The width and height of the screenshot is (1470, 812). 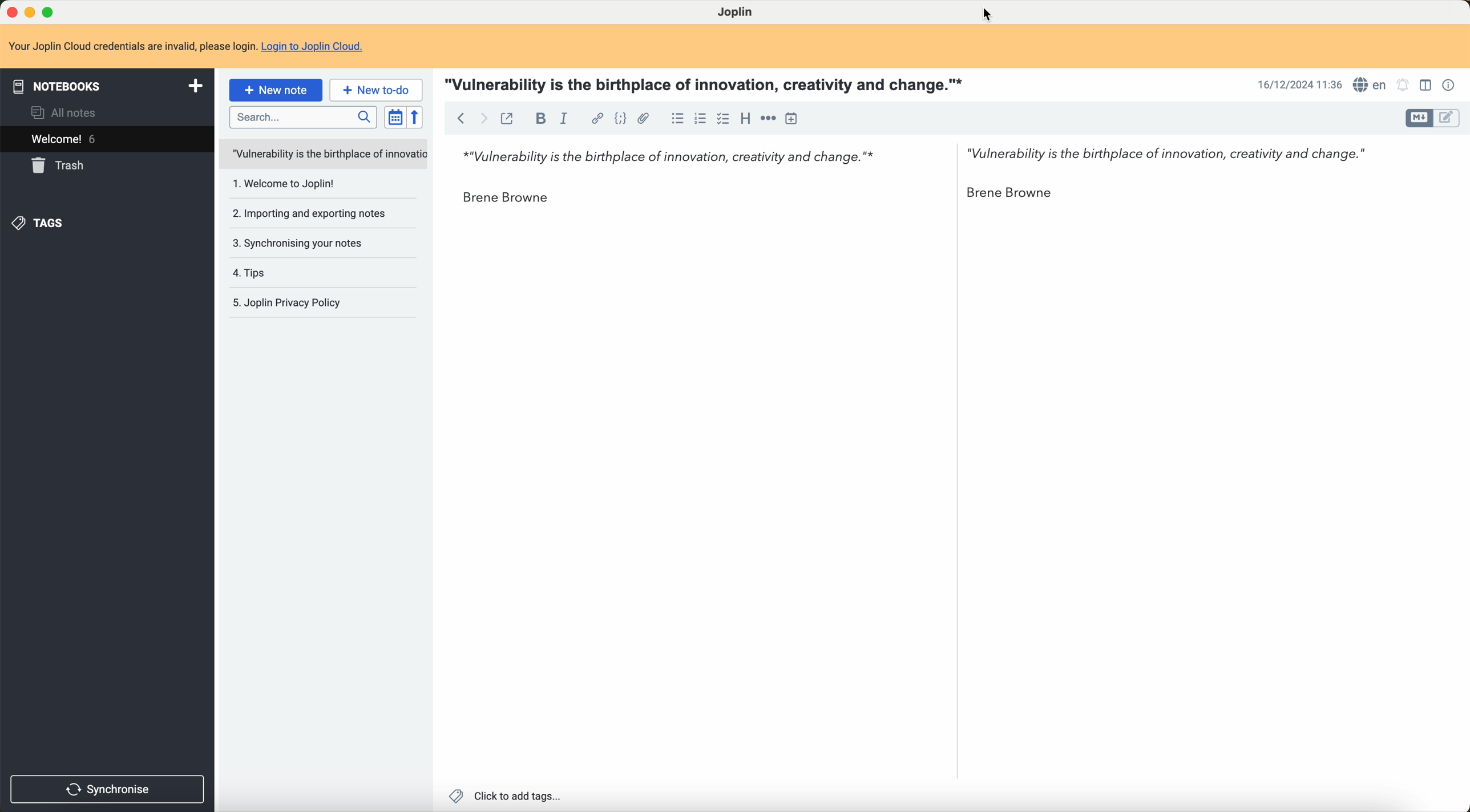 What do you see at coordinates (1449, 85) in the screenshot?
I see `note properties` at bounding box center [1449, 85].